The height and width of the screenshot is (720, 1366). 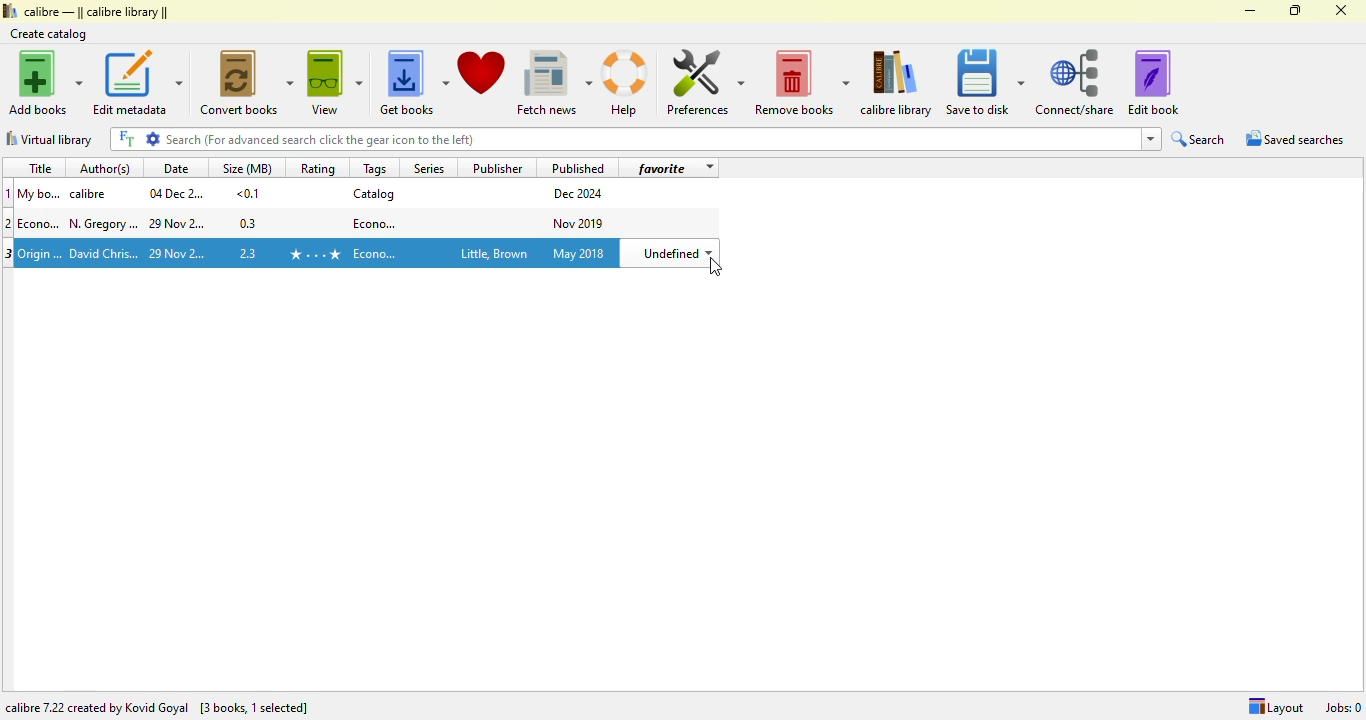 What do you see at coordinates (49, 139) in the screenshot?
I see `virtual library` at bounding box center [49, 139].